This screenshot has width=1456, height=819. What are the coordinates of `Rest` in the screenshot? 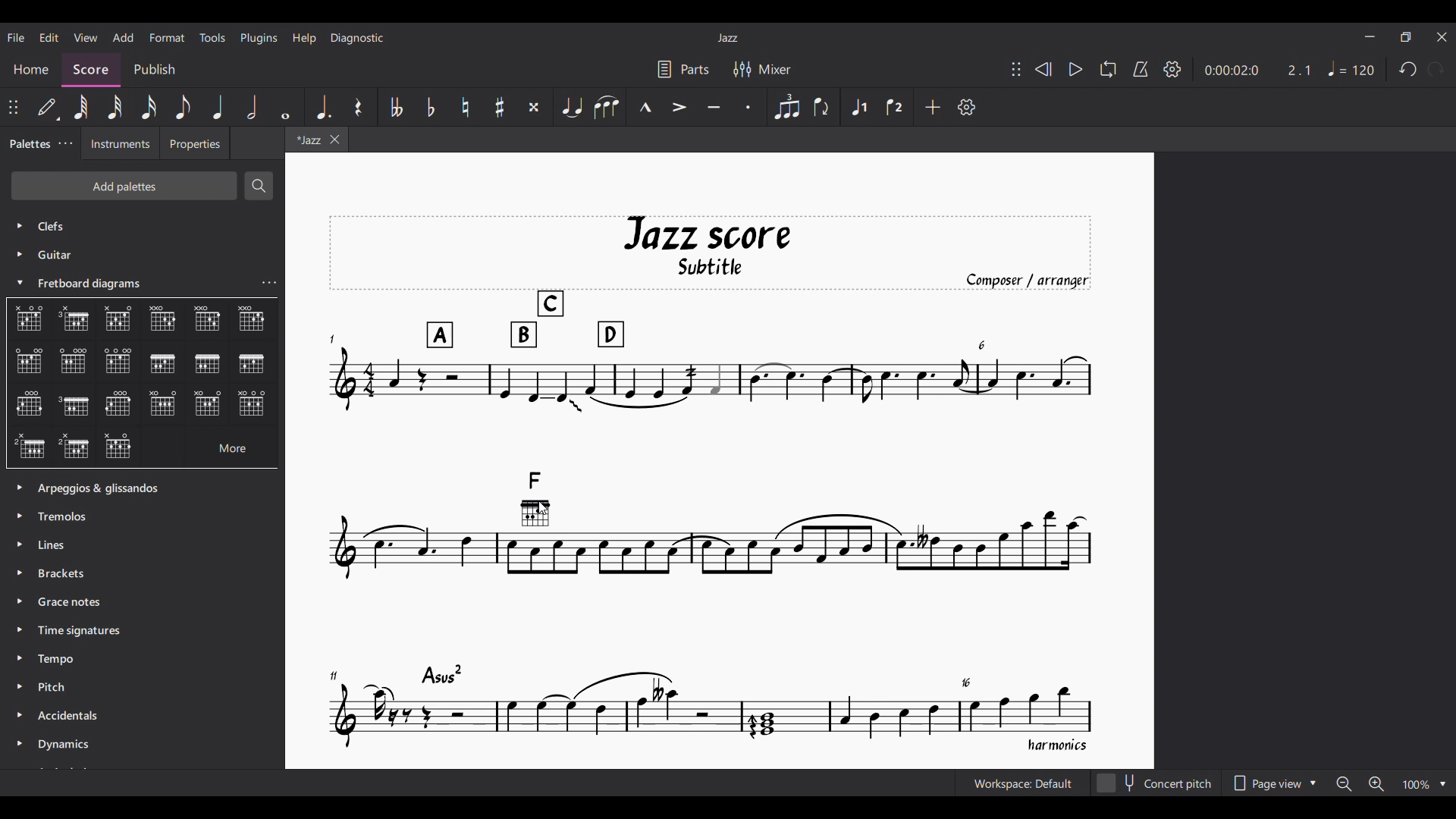 It's located at (358, 107).